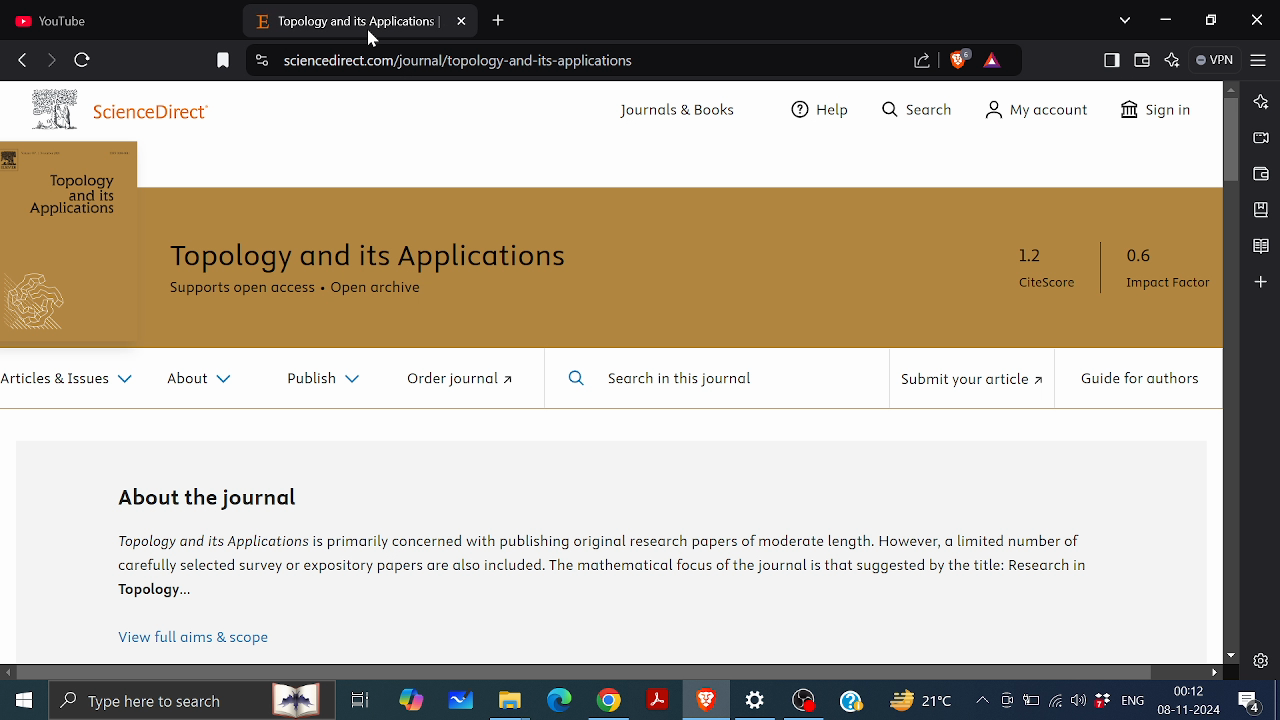 This screenshot has width=1280, height=720. I want to click on copilot, so click(412, 700).